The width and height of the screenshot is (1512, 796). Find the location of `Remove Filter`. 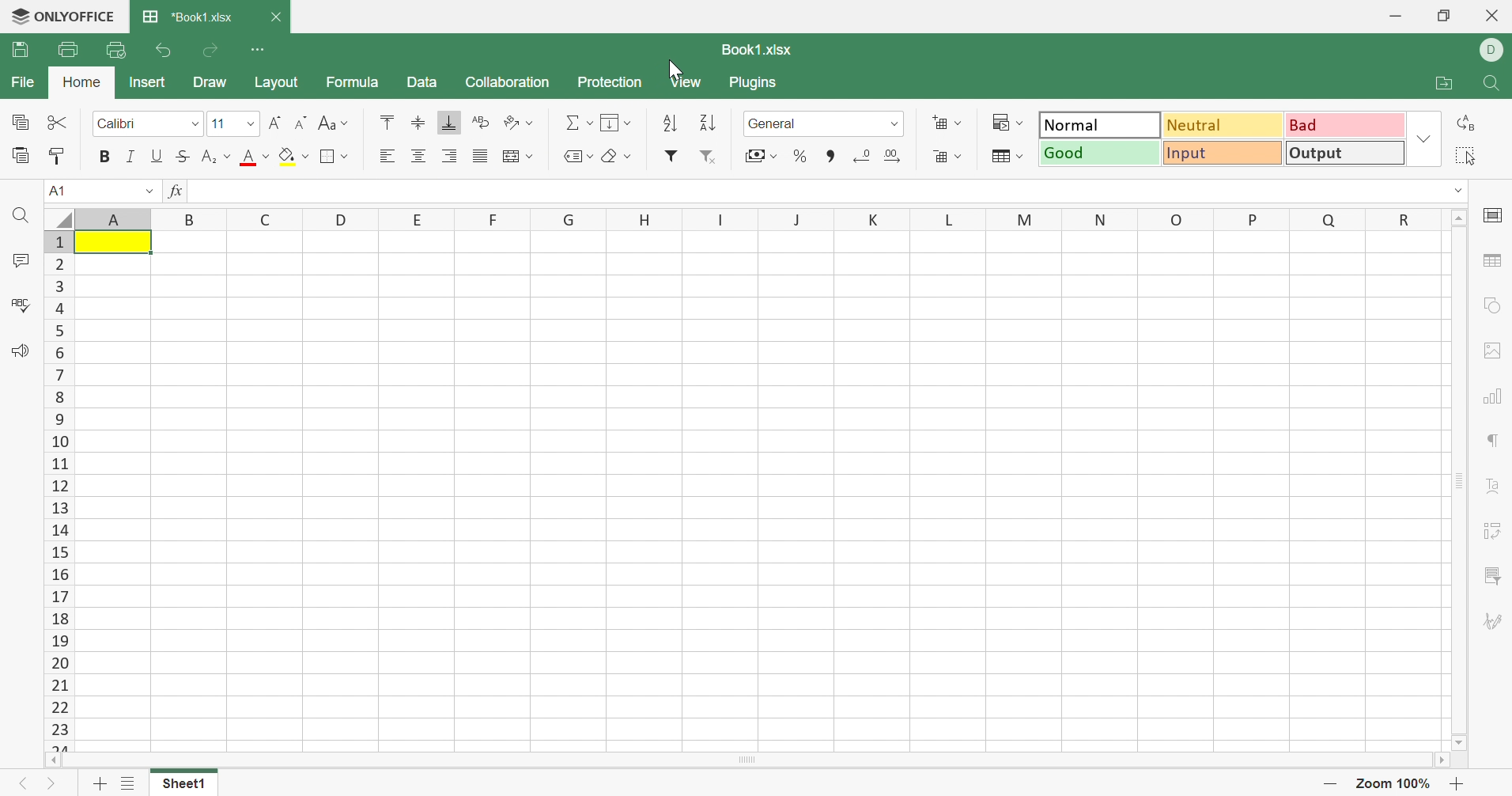

Remove Filter is located at coordinates (707, 154).